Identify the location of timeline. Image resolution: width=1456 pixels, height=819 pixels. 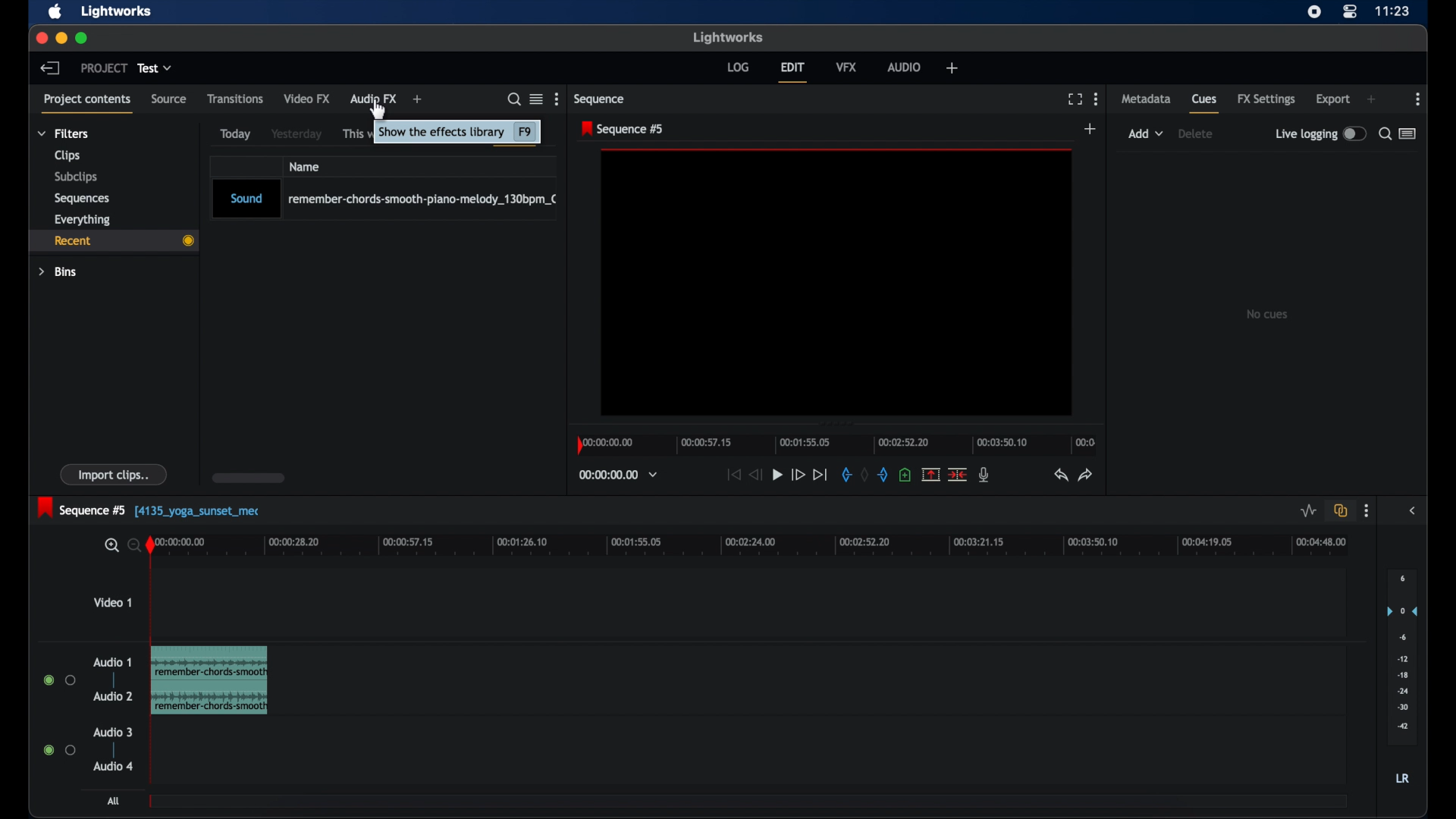
(834, 443).